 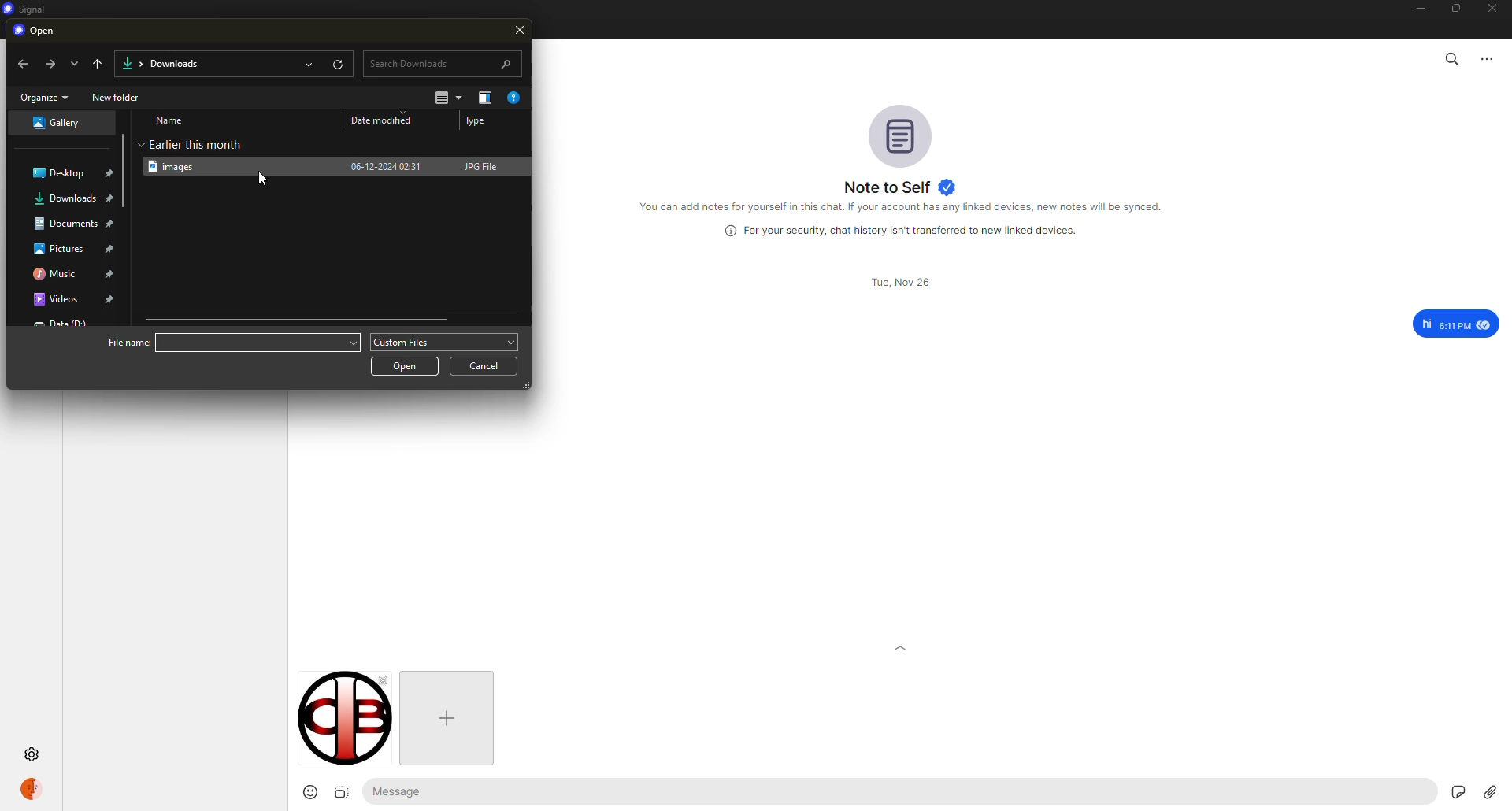 I want to click on drop down, so click(x=512, y=341).